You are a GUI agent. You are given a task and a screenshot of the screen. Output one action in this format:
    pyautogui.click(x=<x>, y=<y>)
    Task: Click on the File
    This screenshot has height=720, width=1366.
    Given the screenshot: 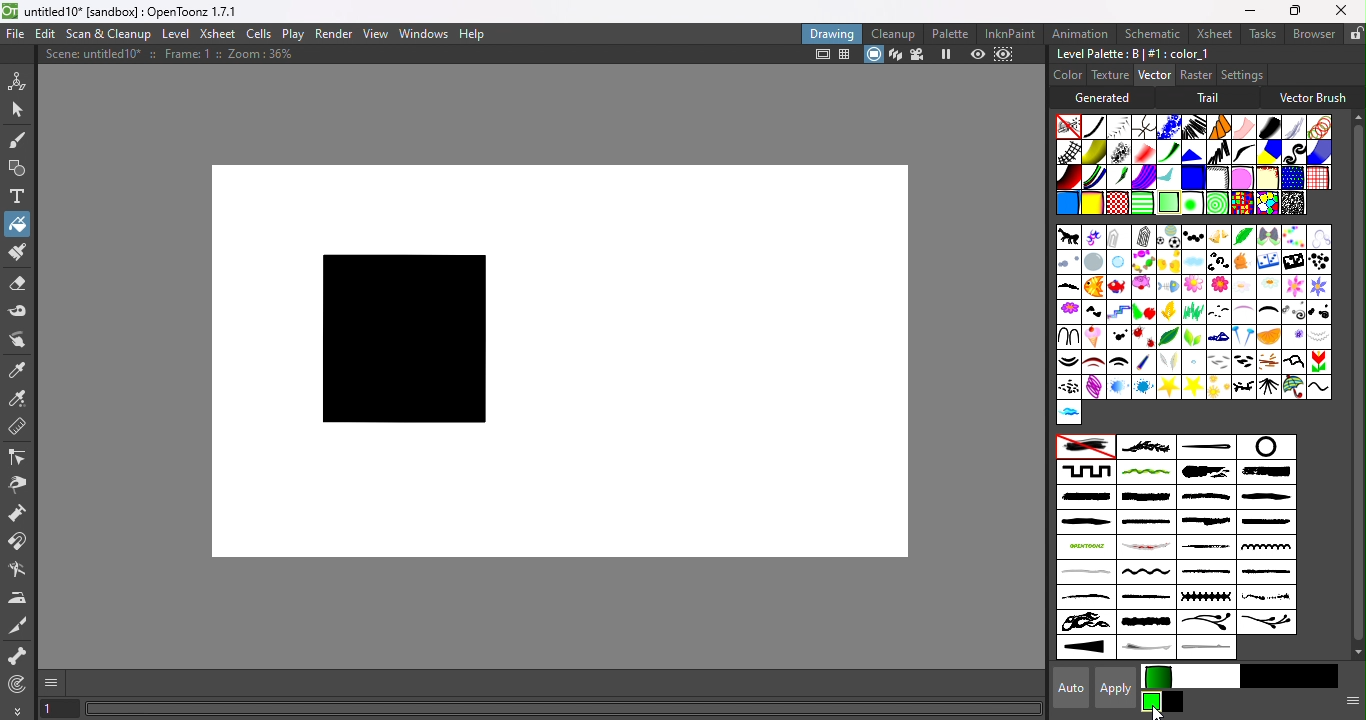 What is the action you would take?
    pyautogui.click(x=16, y=35)
    